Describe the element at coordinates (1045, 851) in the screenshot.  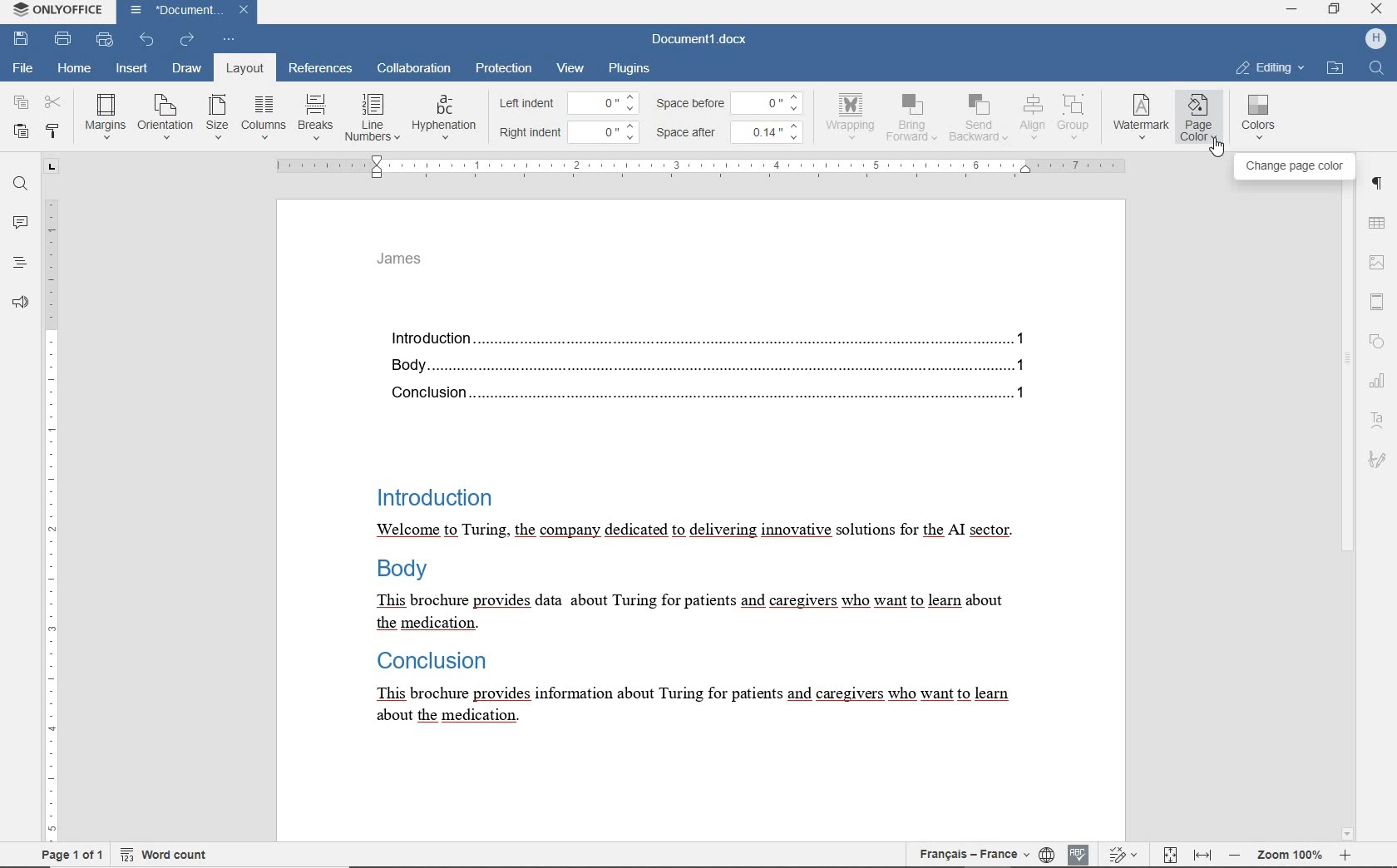
I see `set document language` at that location.